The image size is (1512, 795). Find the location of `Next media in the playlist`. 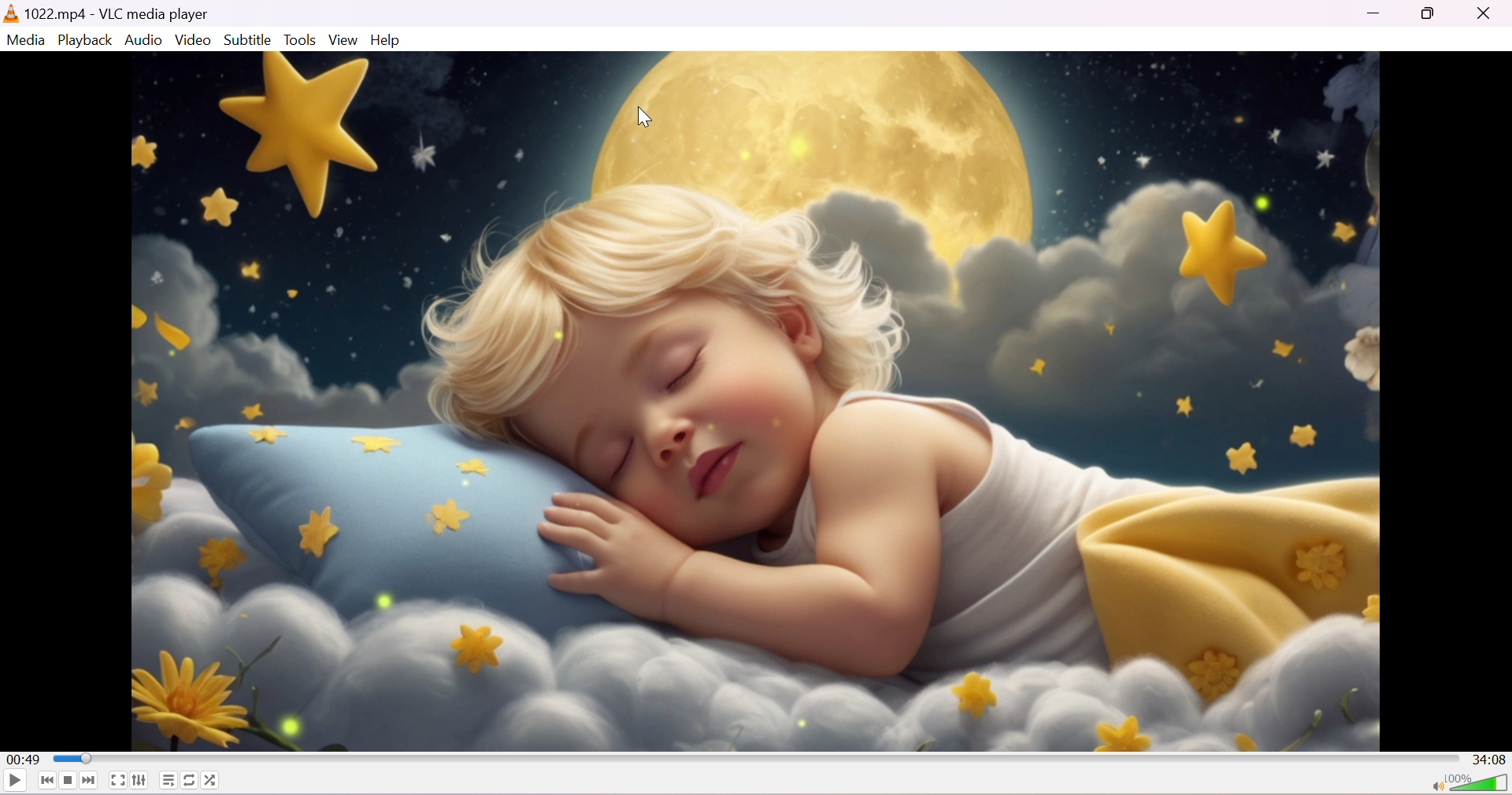

Next media in the playlist is located at coordinates (86, 782).